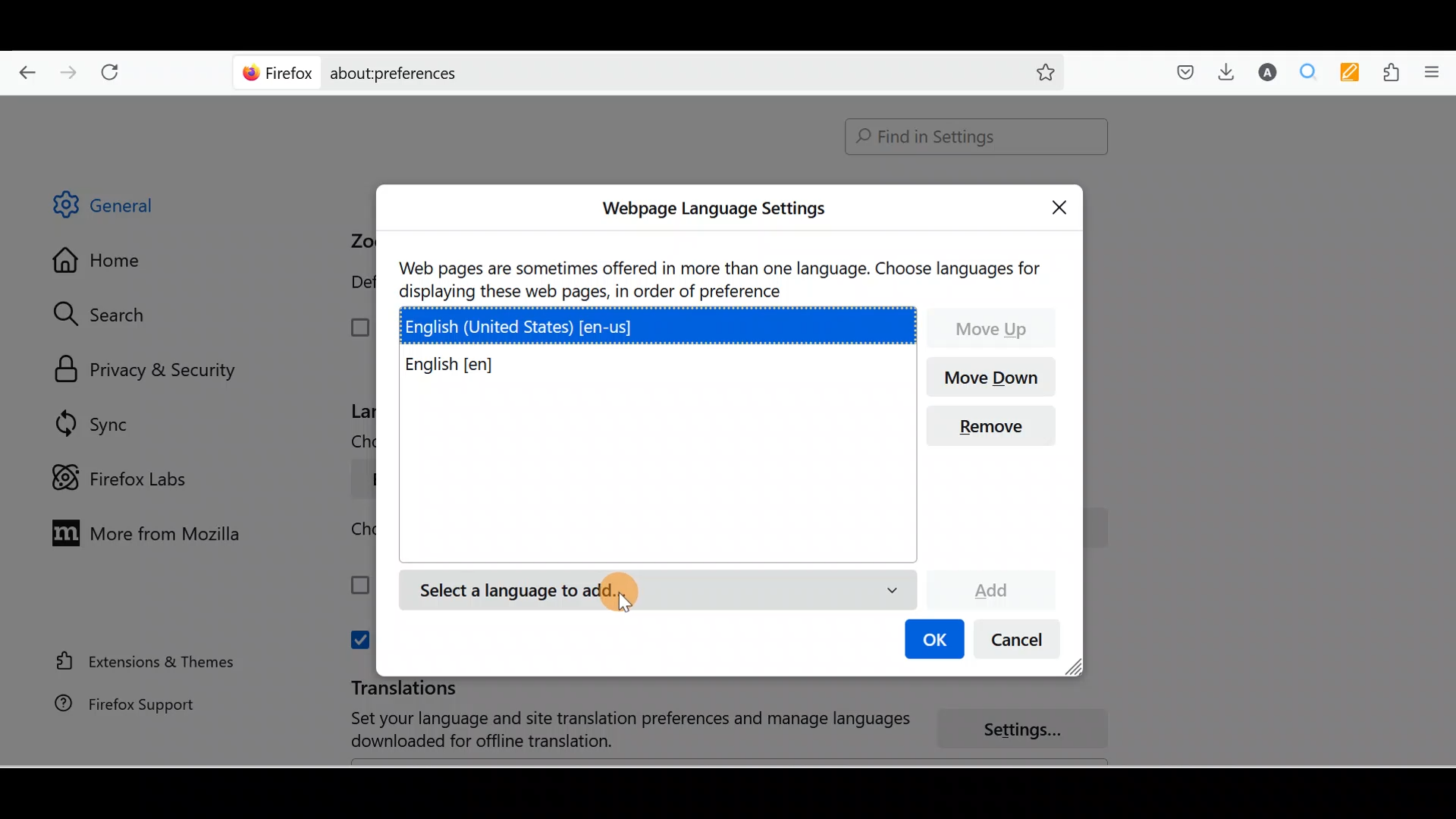 Image resolution: width=1456 pixels, height=819 pixels. I want to click on Account, so click(1264, 72).